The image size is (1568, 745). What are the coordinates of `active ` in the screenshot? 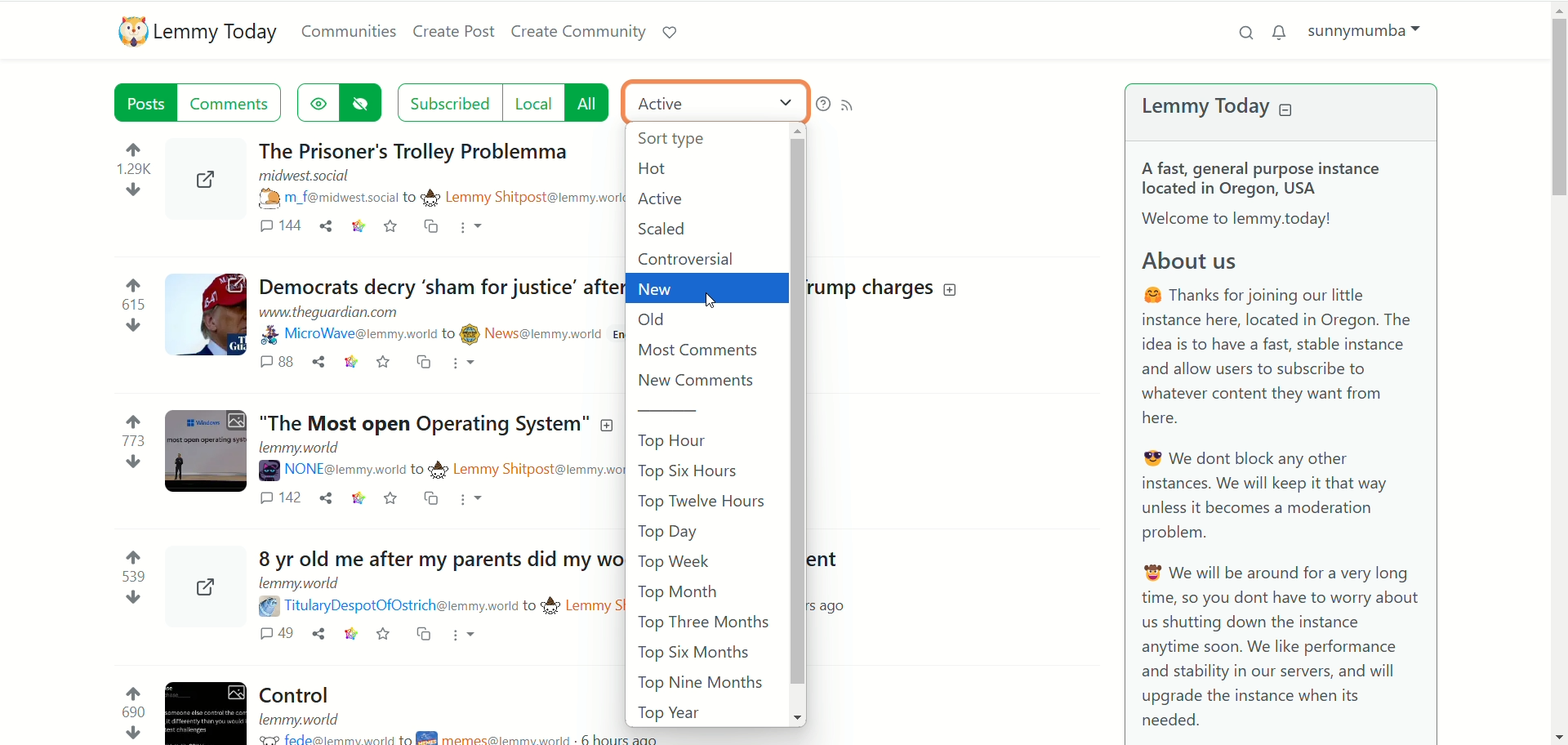 It's located at (661, 197).